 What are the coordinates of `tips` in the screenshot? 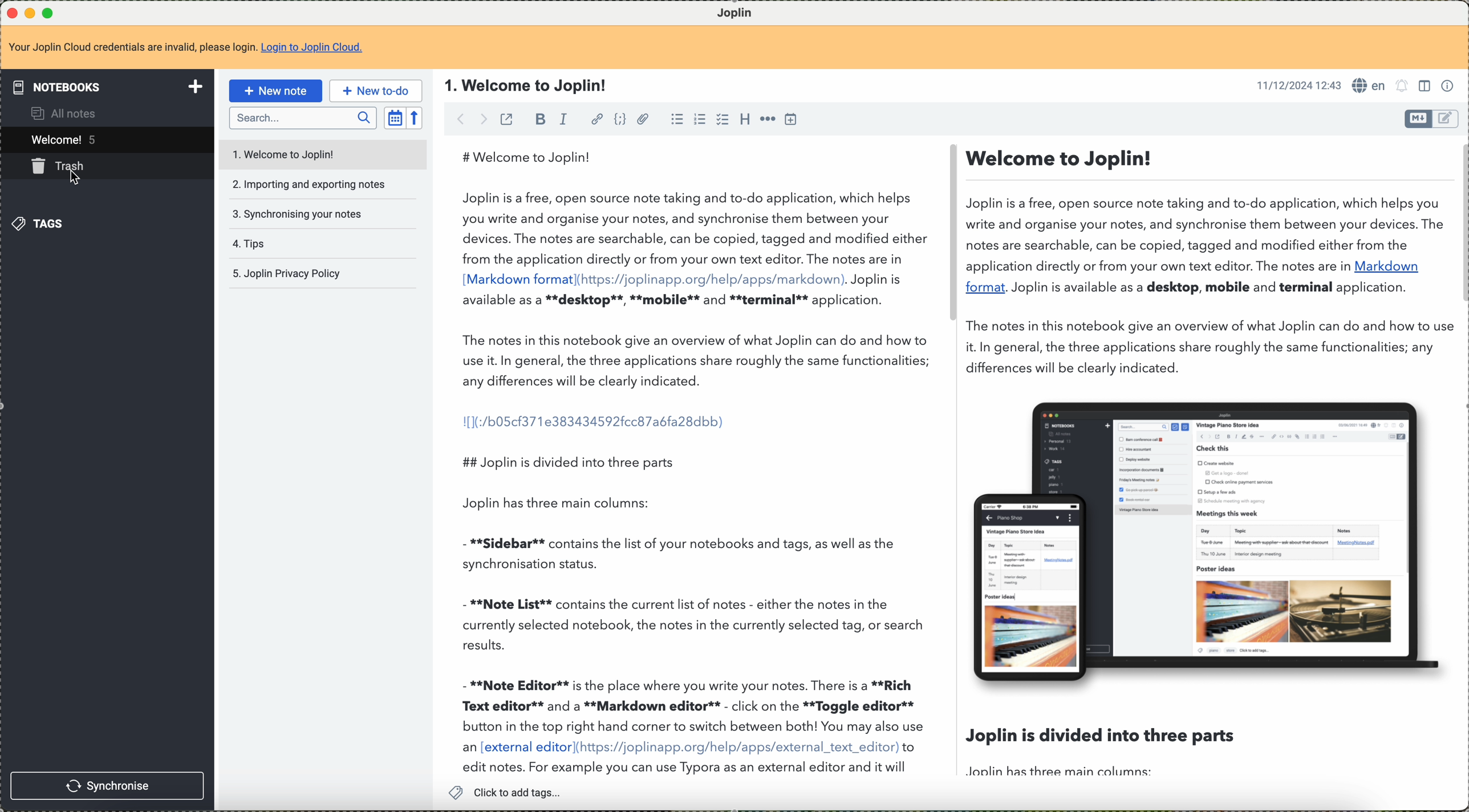 It's located at (279, 241).